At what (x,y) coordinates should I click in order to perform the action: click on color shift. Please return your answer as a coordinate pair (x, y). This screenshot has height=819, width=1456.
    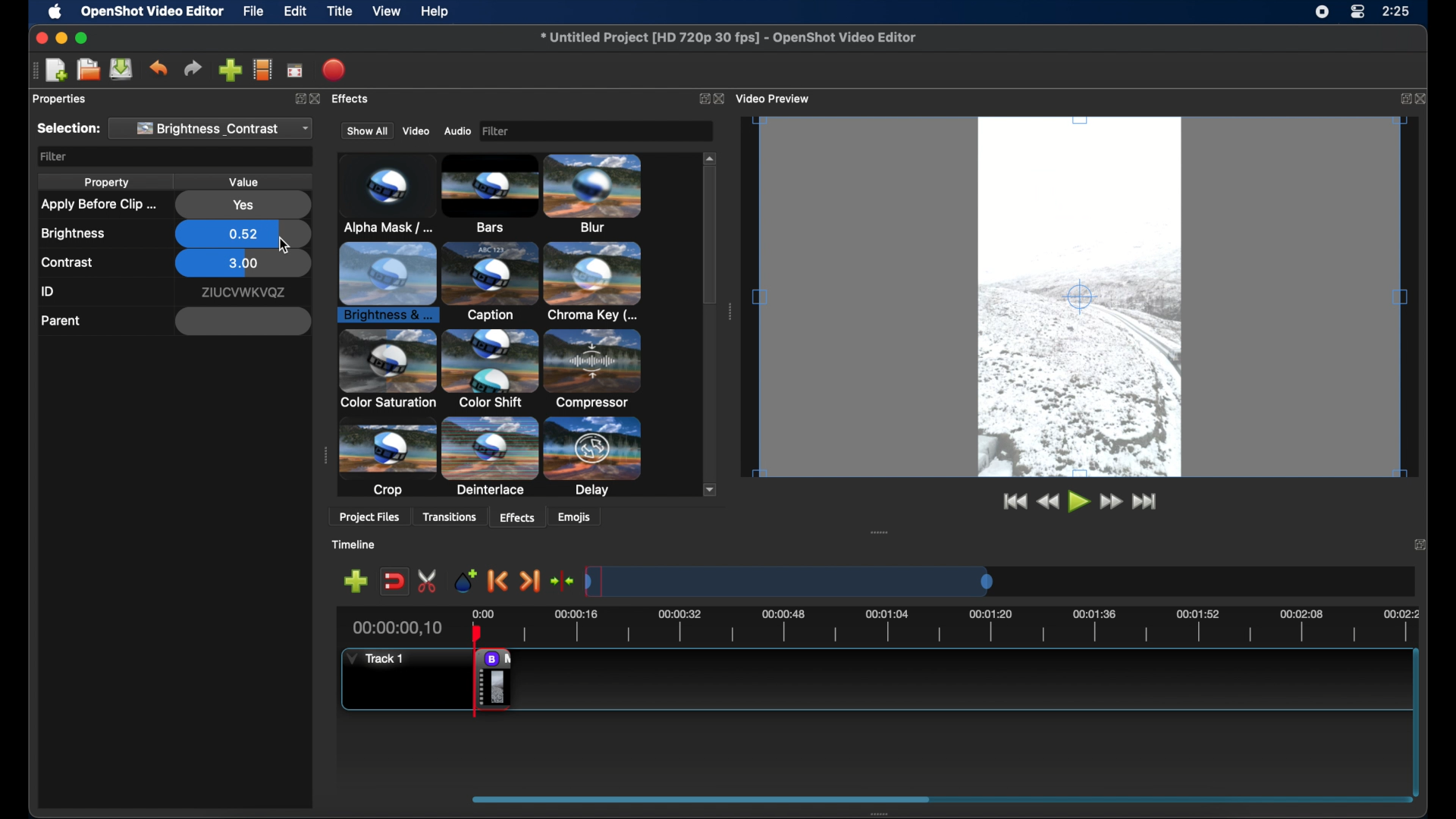
    Looking at the image, I should click on (598, 283).